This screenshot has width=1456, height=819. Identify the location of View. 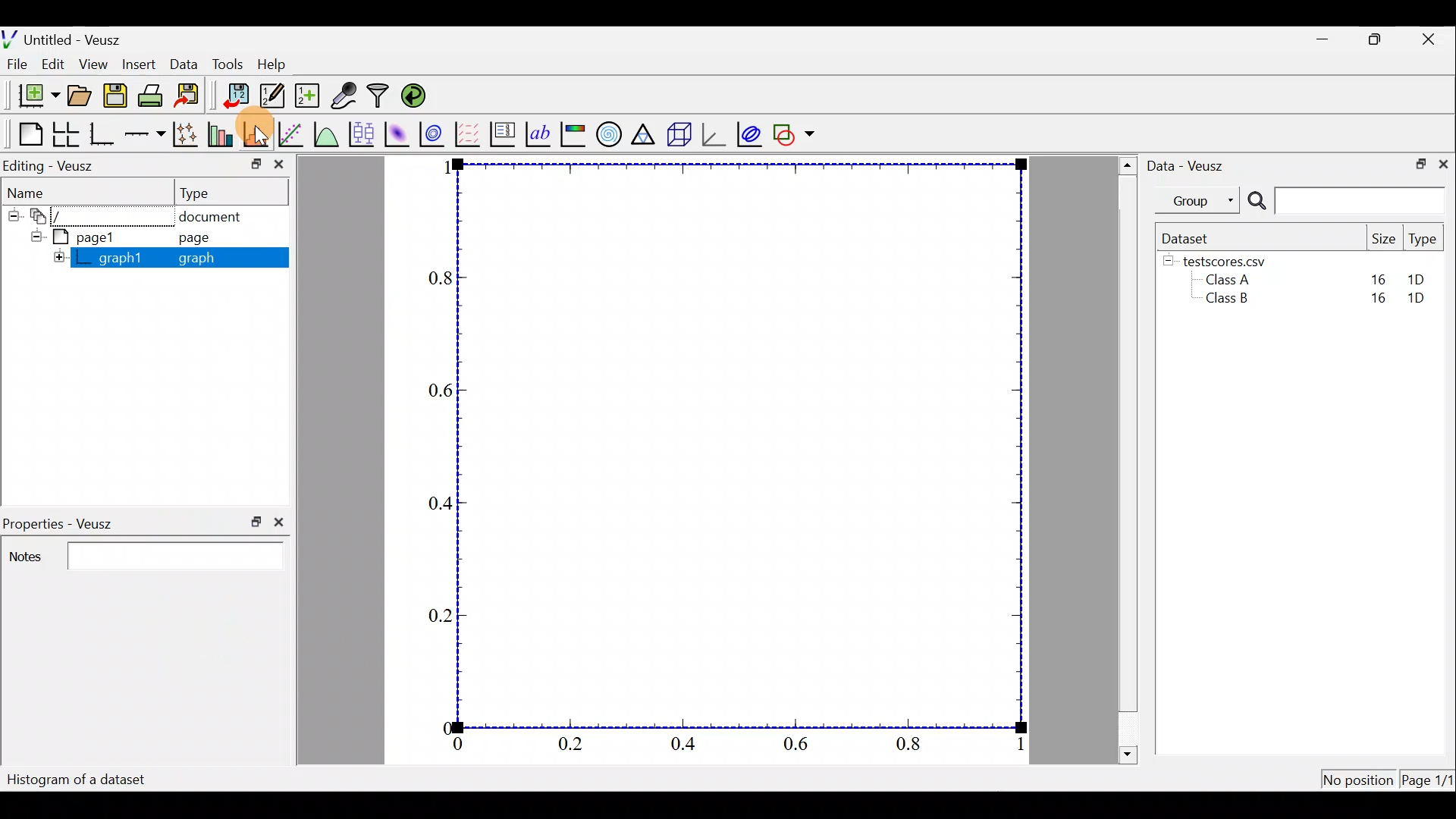
(93, 65).